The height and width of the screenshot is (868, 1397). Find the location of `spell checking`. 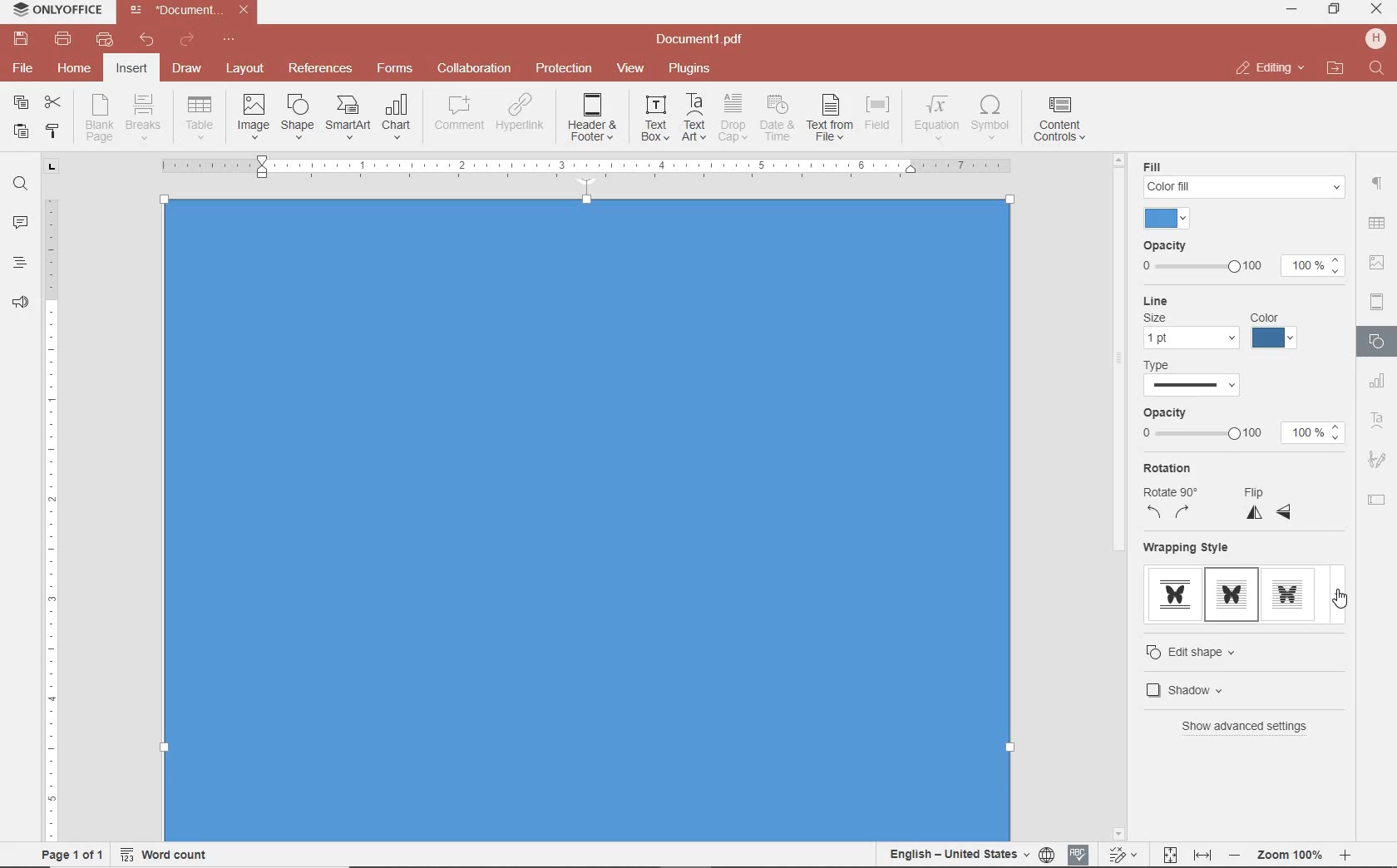

spell checking is located at coordinates (1079, 855).